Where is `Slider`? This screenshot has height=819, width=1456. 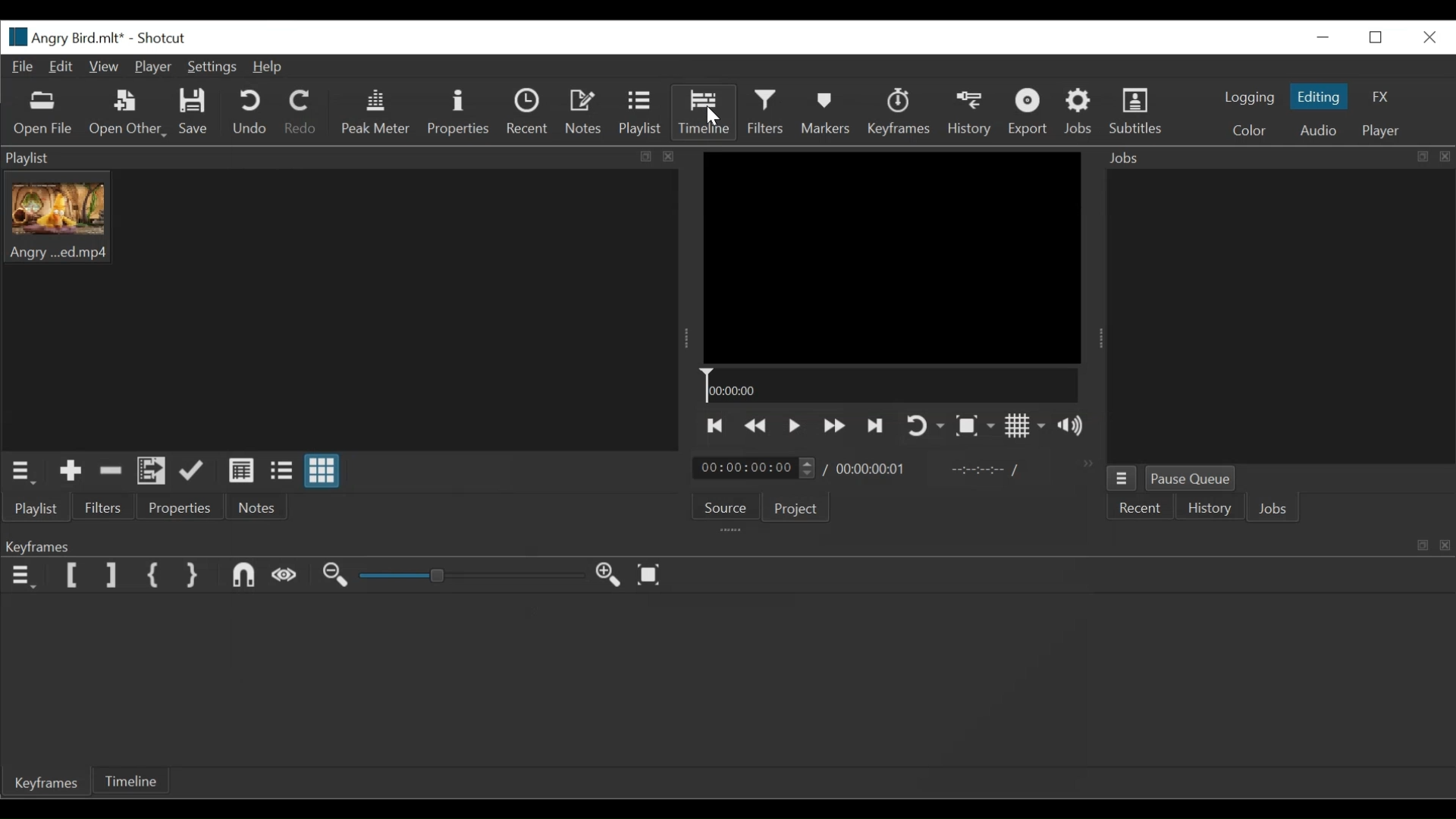
Slider is located at coordinates (470, 575).